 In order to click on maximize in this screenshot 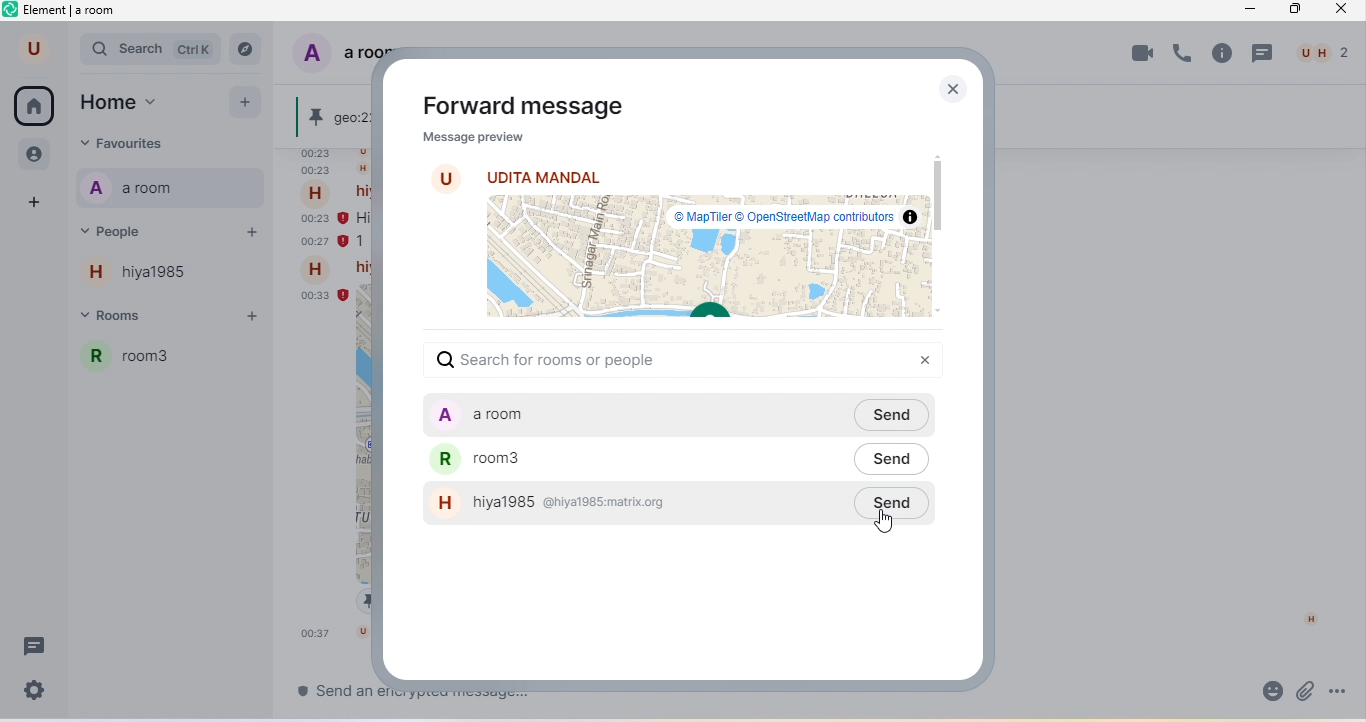, I will do `click(1296, 10)`.